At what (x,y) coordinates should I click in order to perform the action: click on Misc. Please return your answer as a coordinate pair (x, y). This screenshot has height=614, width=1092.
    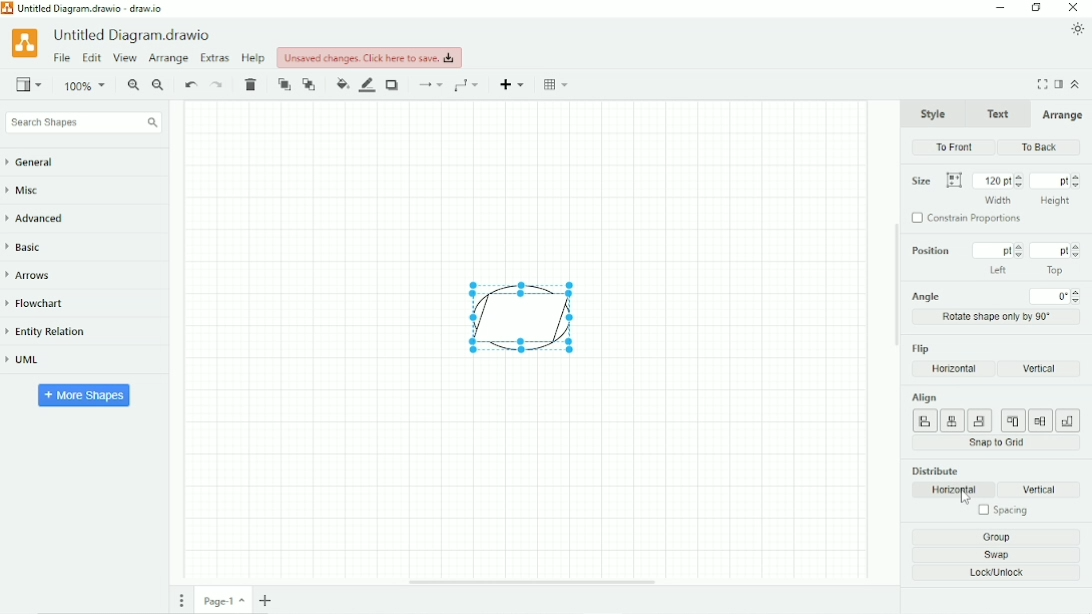
    Looking at the image, I should click on (29, 192).